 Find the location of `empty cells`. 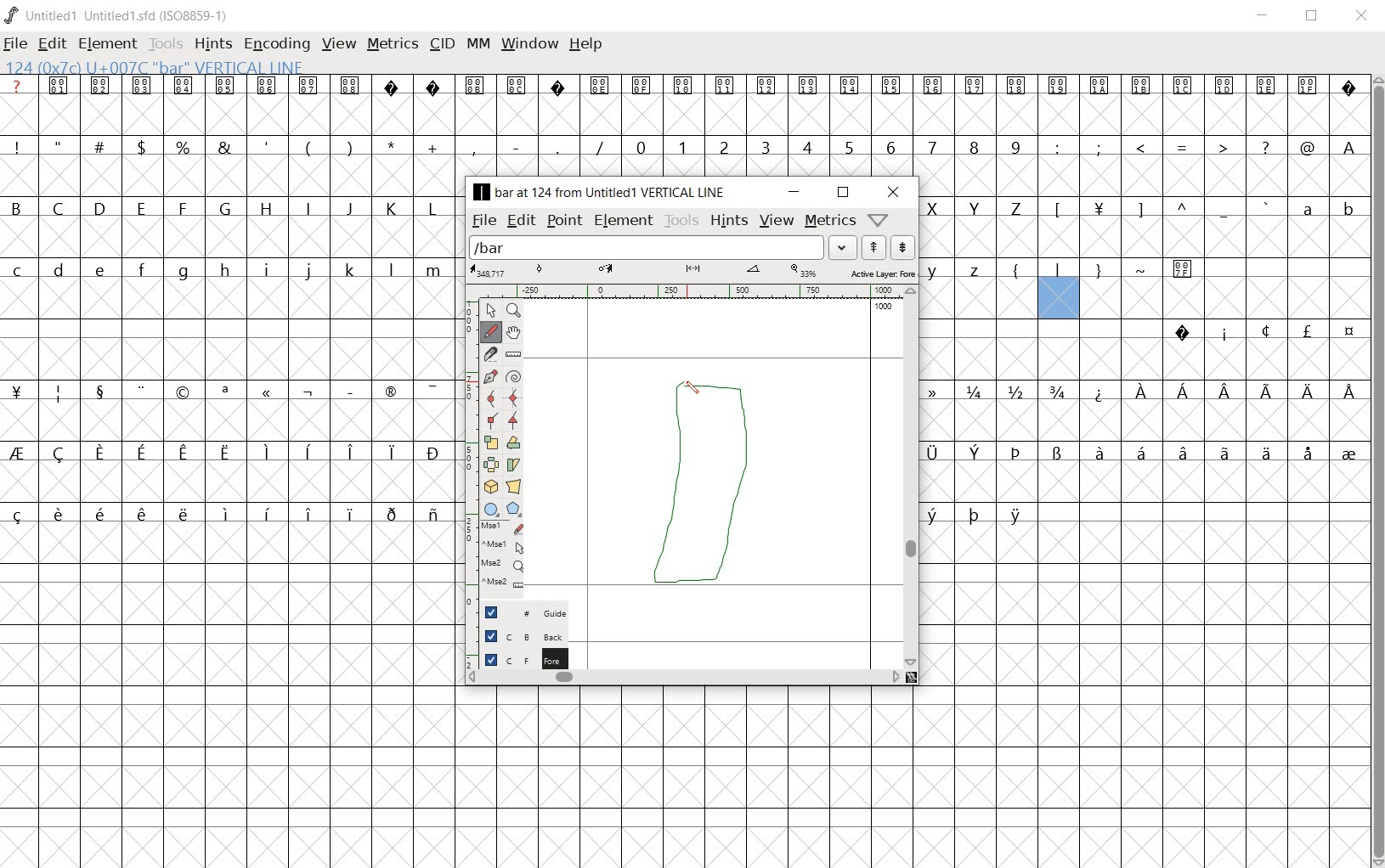

empty cells is located at coordinates (231, 301).